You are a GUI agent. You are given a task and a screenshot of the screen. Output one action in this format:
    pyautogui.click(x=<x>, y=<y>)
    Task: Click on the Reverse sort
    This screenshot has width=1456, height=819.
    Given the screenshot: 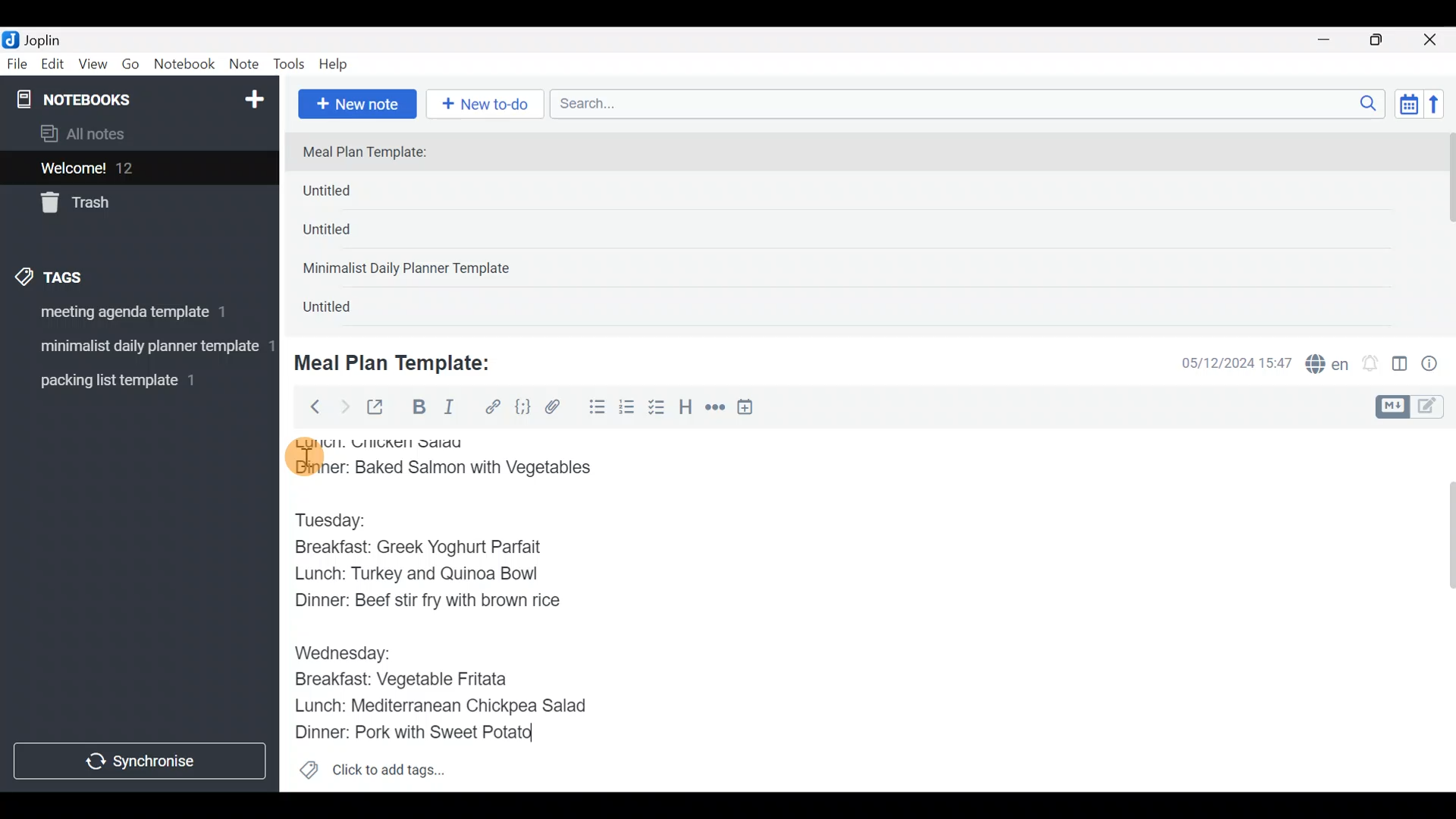 What is the action you would take?
    pyautogui.click(x=1442, y=108)
    